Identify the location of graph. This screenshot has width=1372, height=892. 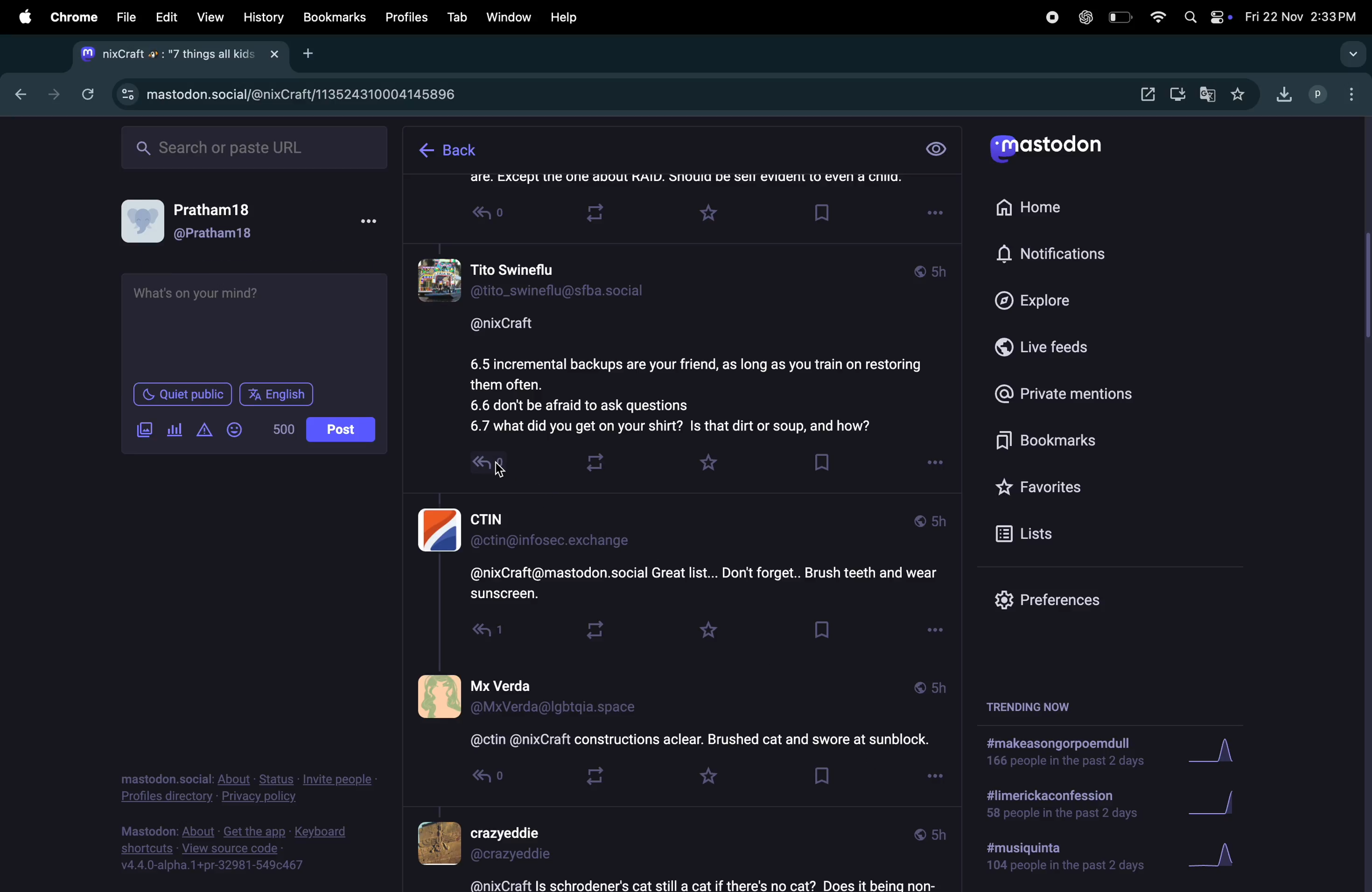
(1224, 857).